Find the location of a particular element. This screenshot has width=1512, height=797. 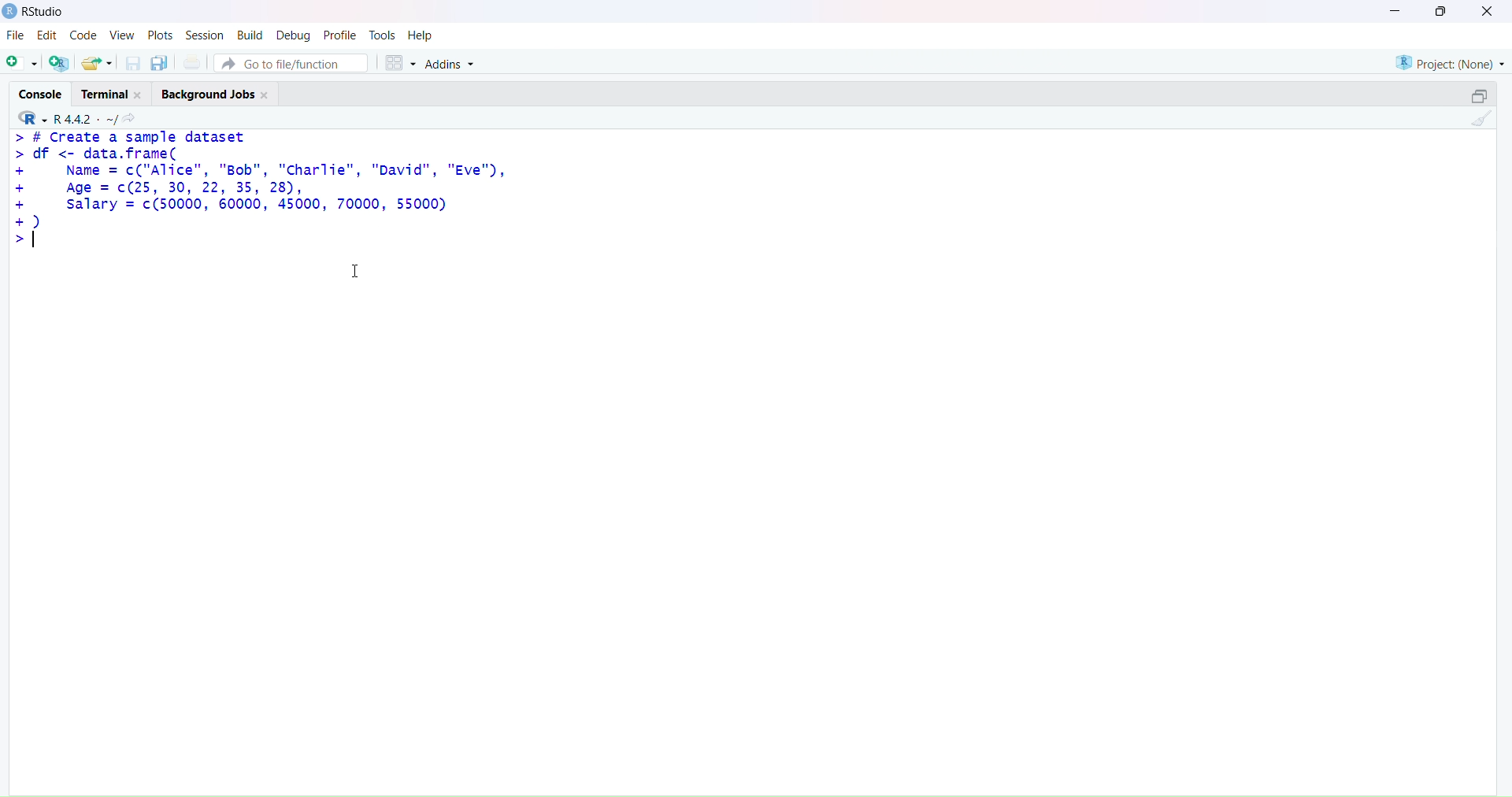

save all open documents is located at coordinates (160, 62).